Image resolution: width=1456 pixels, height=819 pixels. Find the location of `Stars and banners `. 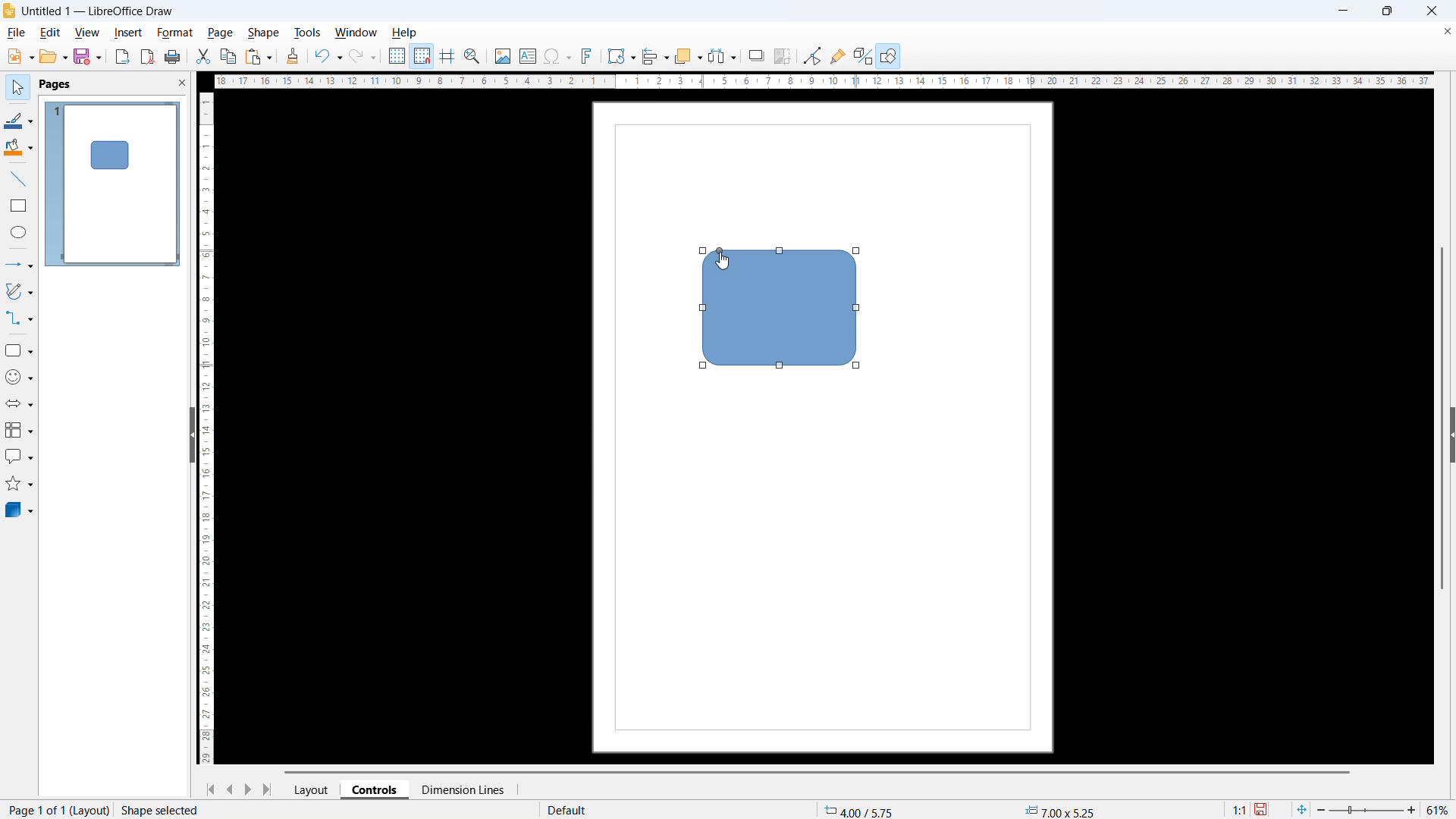

Stars and banners  is located at coordinates (20, 484).